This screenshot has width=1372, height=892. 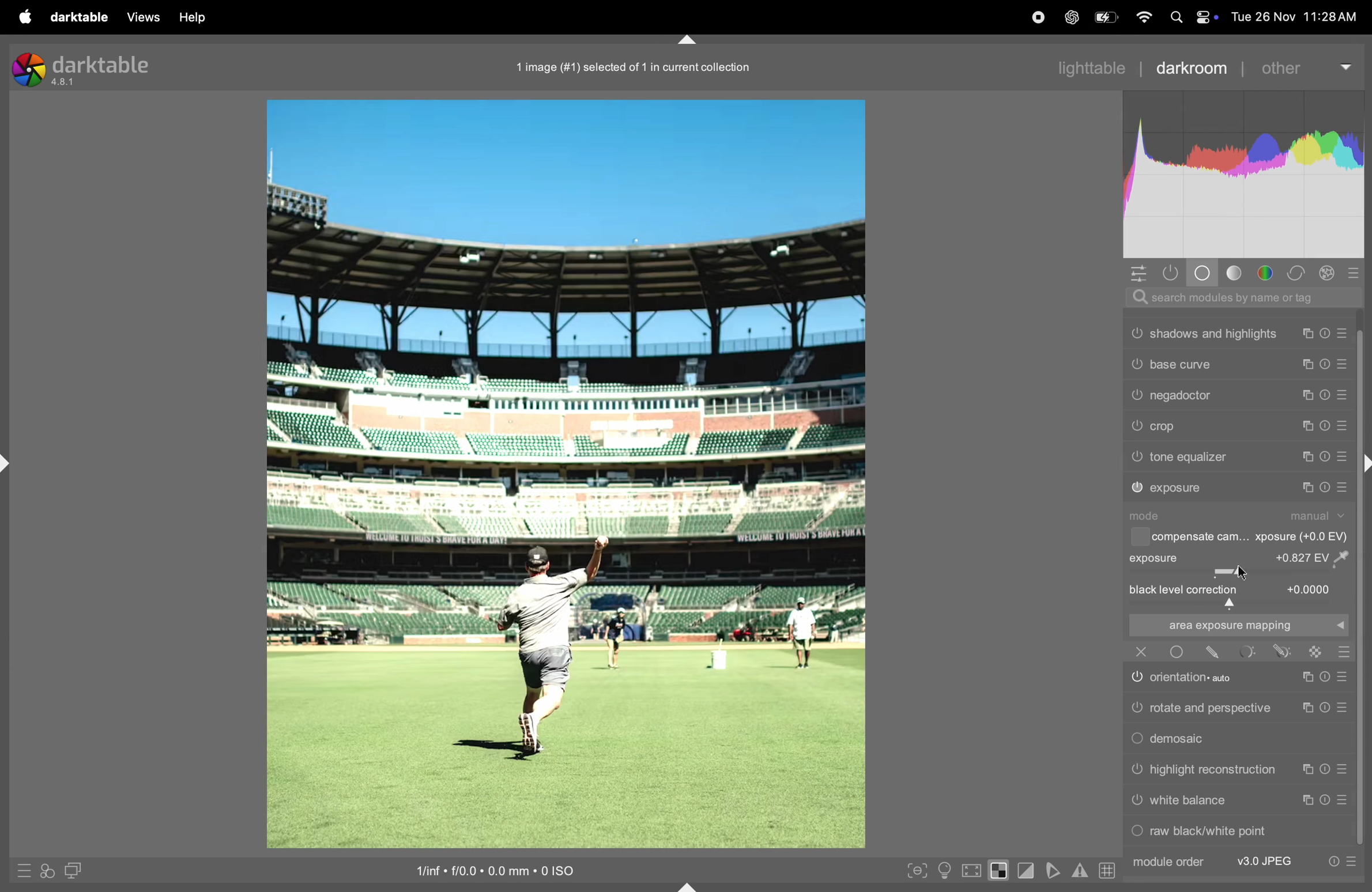 What do you see at coordinates (1352, 862) in the screenshot?
I see `Presets` at bounding box center [1352, 862].